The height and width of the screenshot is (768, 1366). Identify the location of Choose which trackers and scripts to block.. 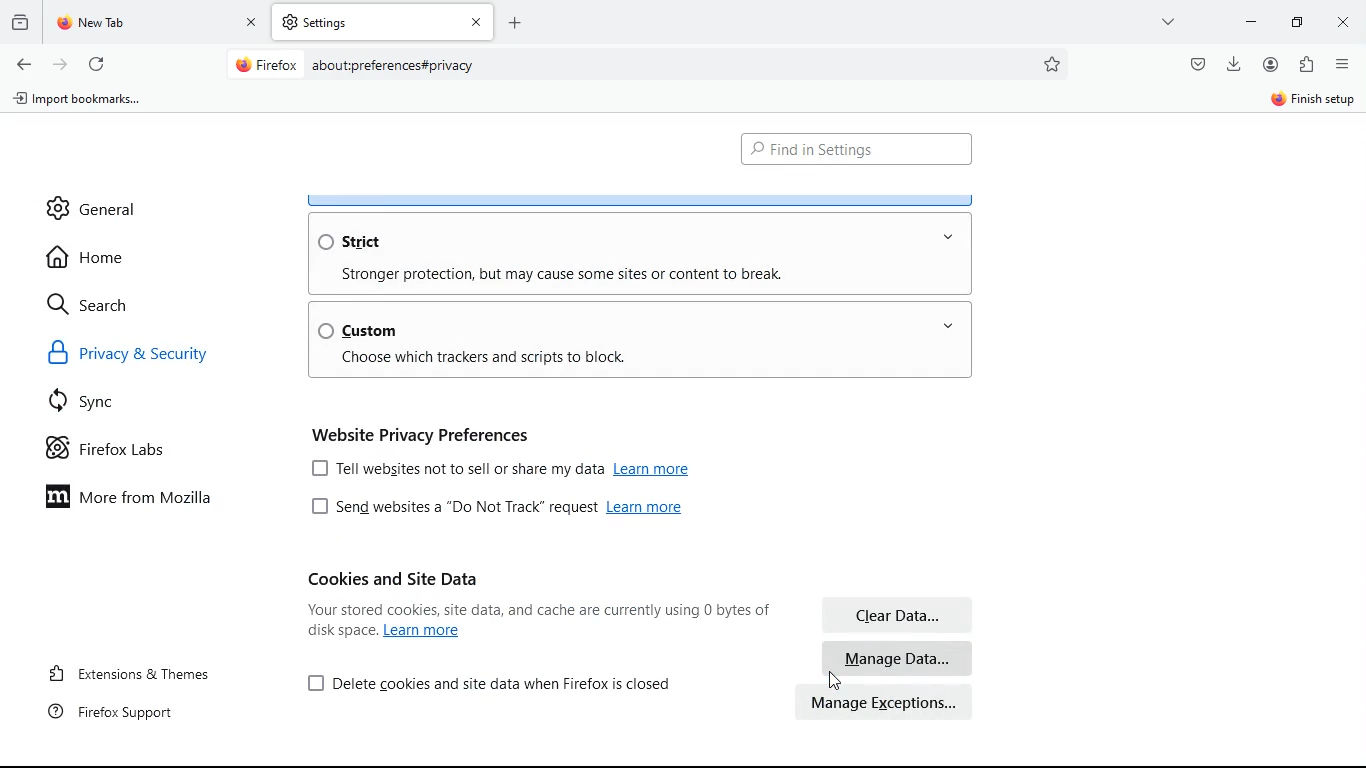
(485, 358).